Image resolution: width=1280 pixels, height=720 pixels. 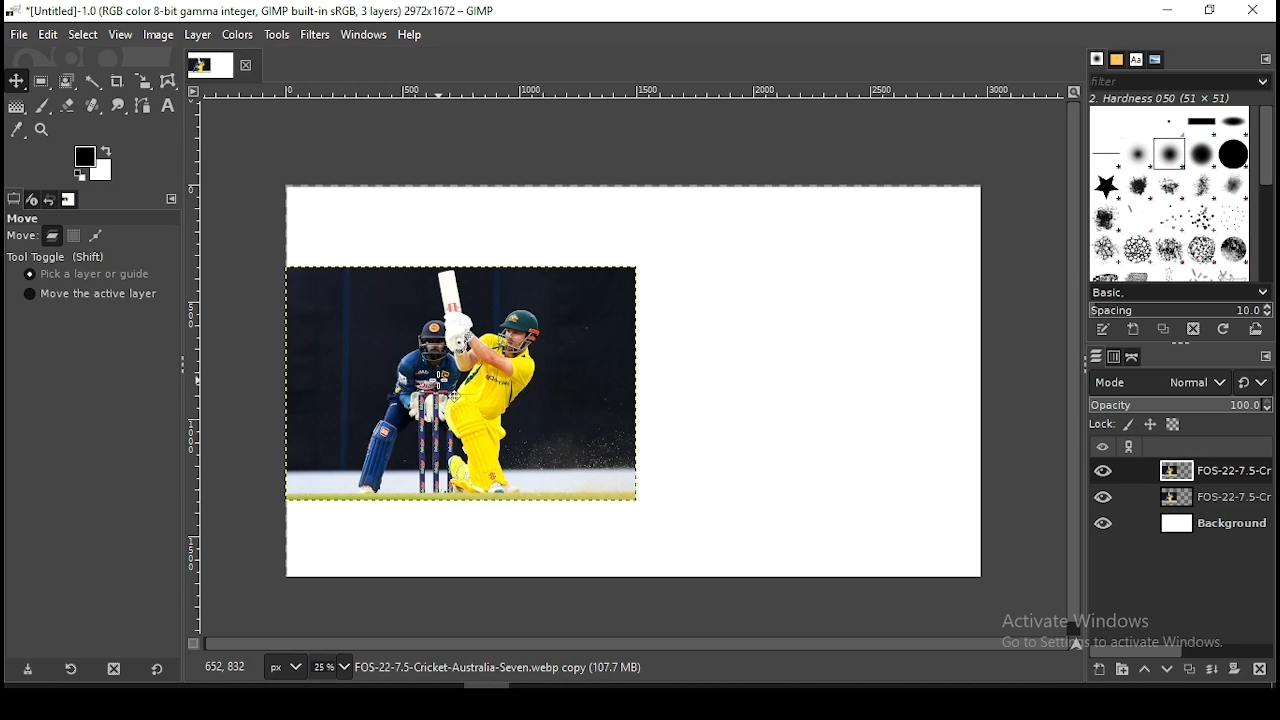 I want to click on Maximise , so click(x=1211, y=10).